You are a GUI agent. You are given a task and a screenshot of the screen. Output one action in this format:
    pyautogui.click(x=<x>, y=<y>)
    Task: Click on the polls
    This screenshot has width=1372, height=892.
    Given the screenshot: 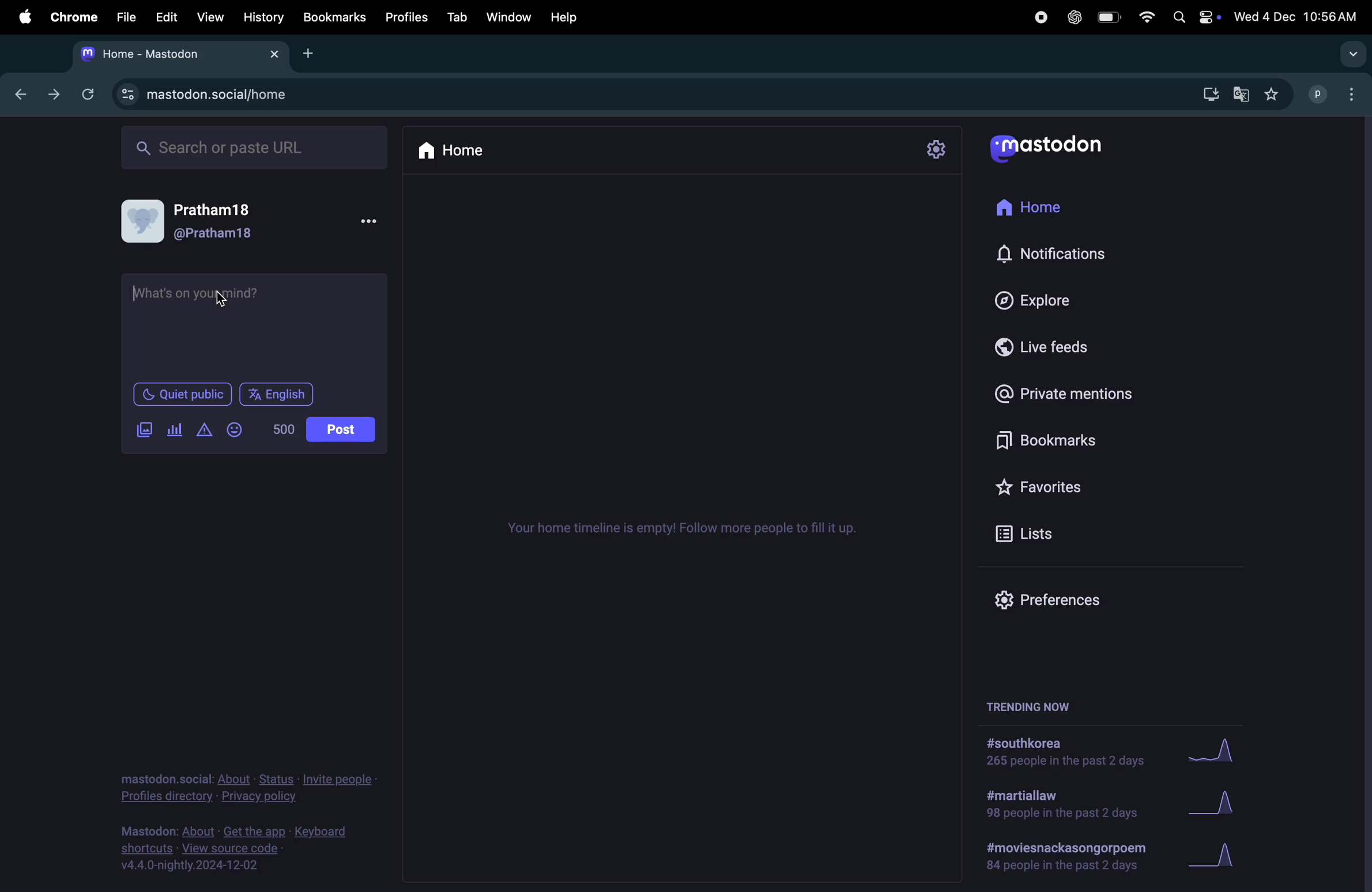 What is the action you would take?
    pyautogui.click(x=174, y=432)
    